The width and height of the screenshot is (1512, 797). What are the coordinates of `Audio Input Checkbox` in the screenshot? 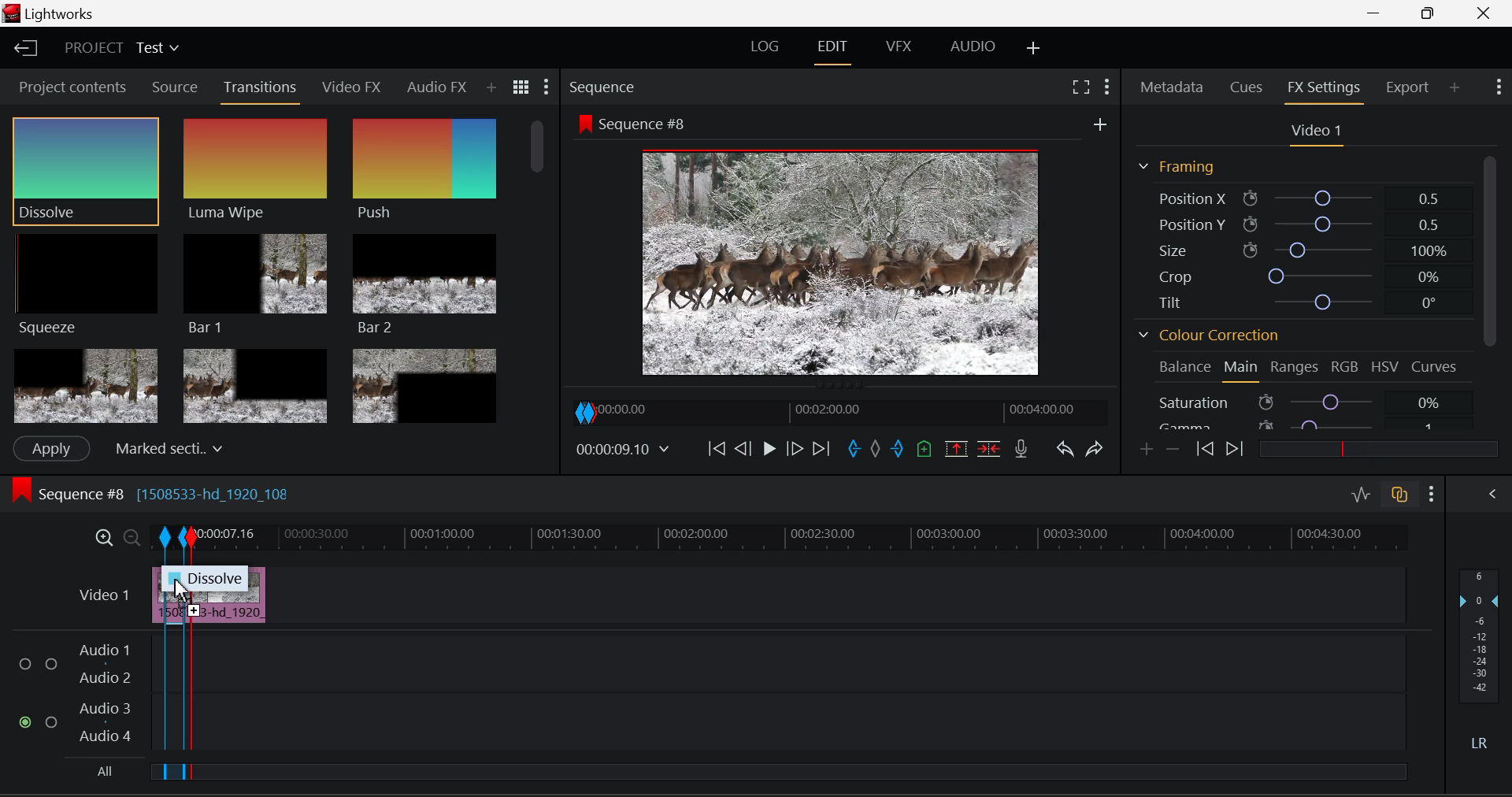 It's located at (51, 664).